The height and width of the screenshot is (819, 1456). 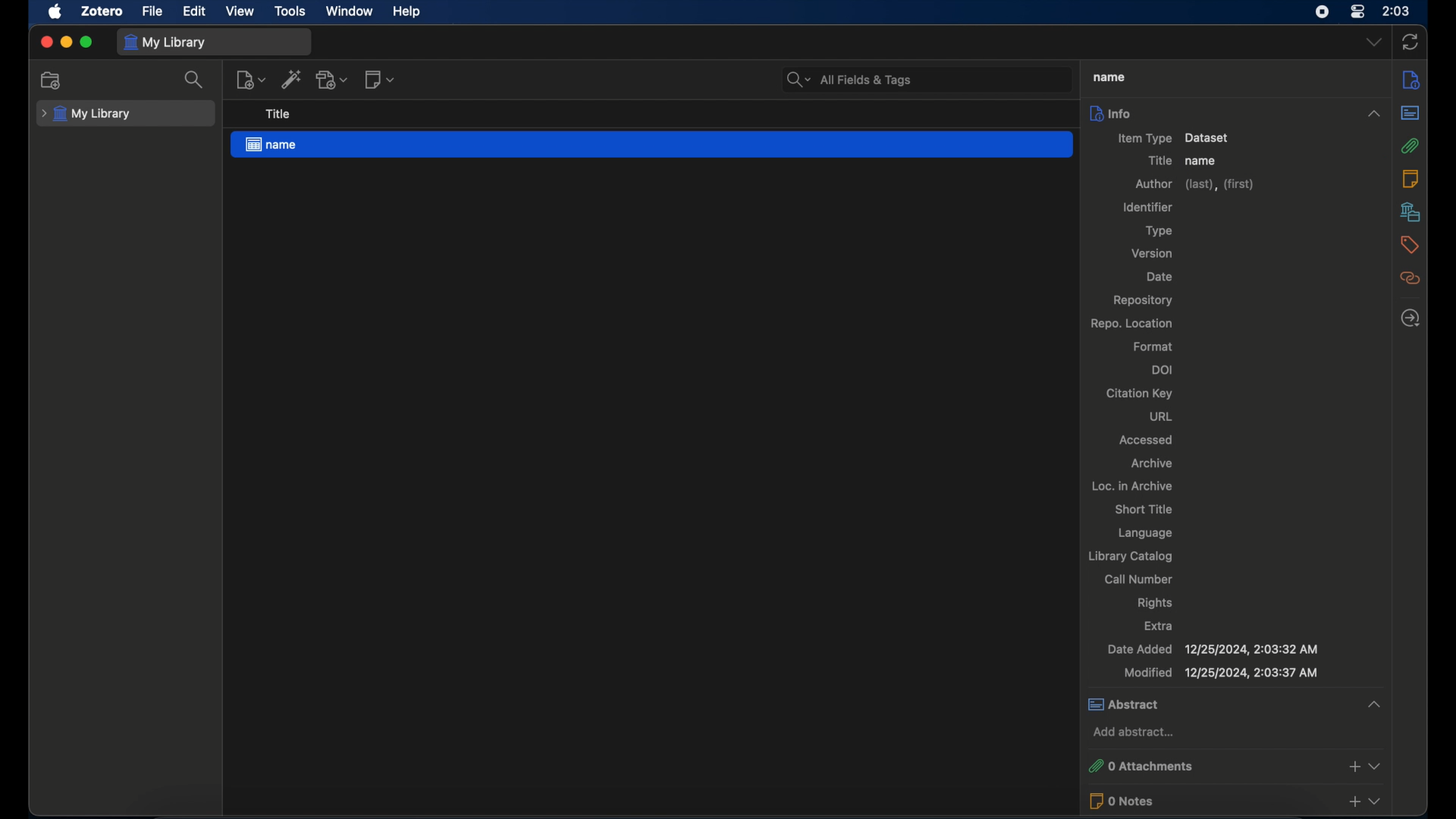 What do you see at coordinates (277, 114) in the screenshot?
I see `title` at bounding box center [277, 114].